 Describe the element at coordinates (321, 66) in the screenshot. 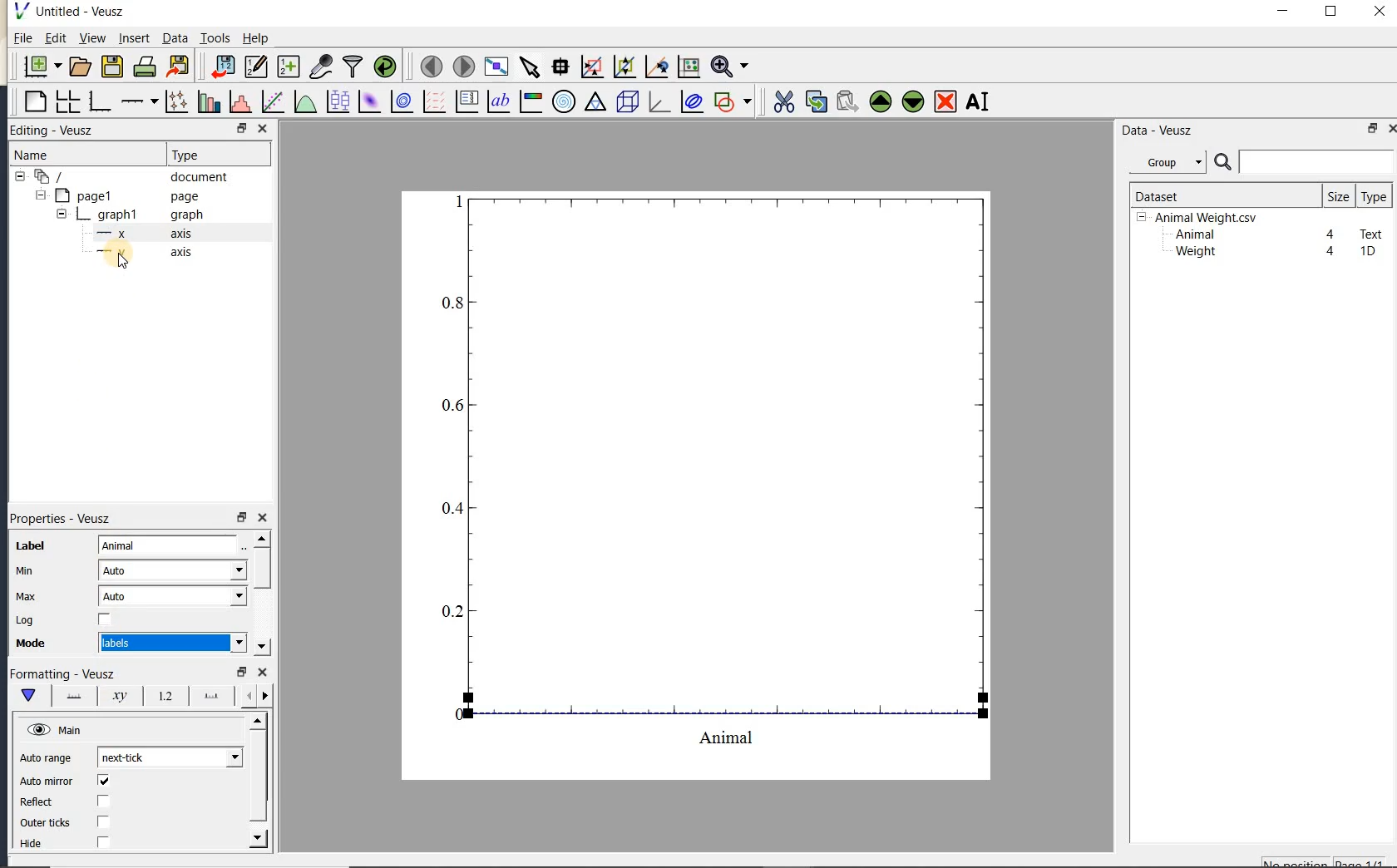

I see `capture remote data` at that location.